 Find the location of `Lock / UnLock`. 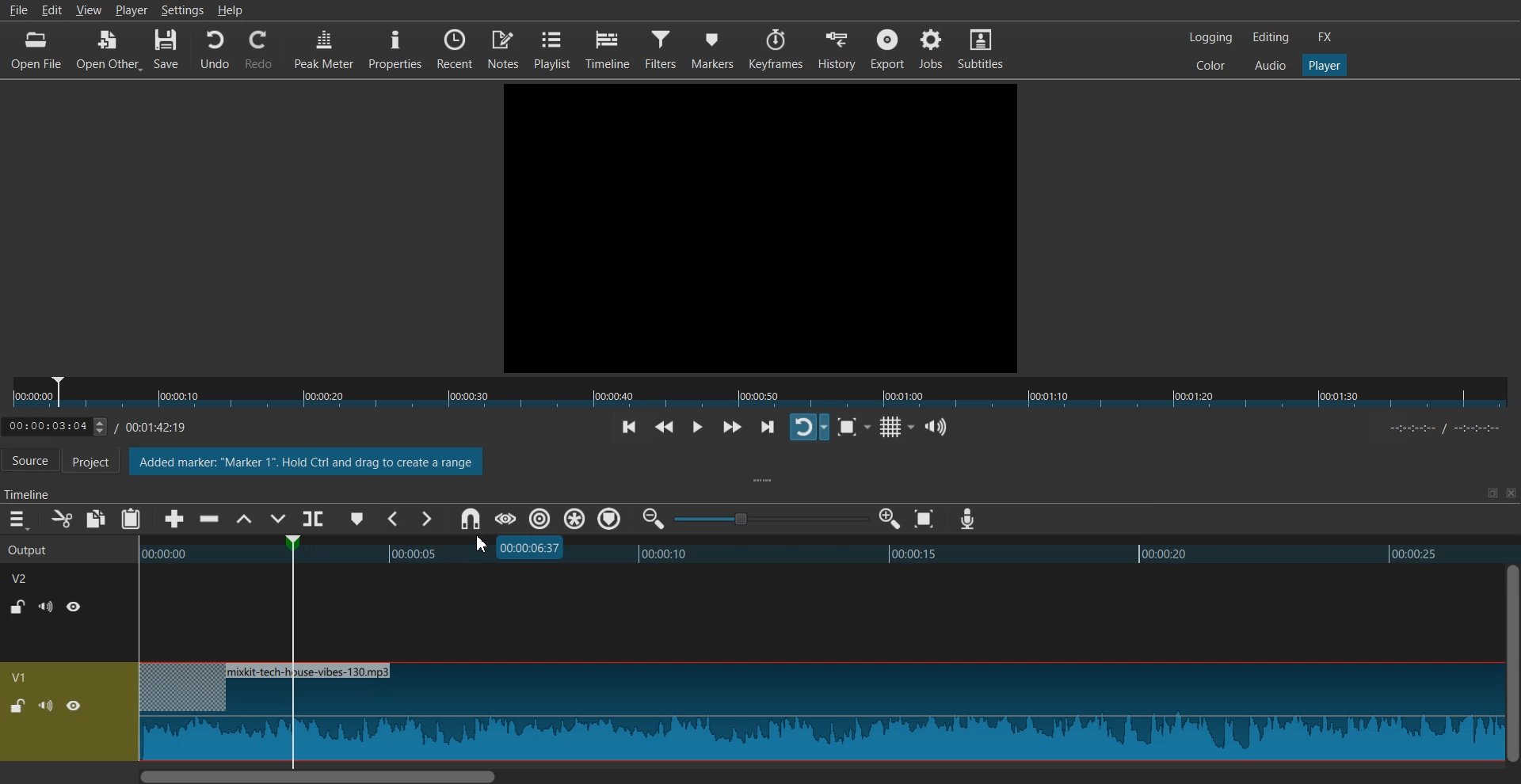

Lock / UnLock is located at coordinates (19, 607).